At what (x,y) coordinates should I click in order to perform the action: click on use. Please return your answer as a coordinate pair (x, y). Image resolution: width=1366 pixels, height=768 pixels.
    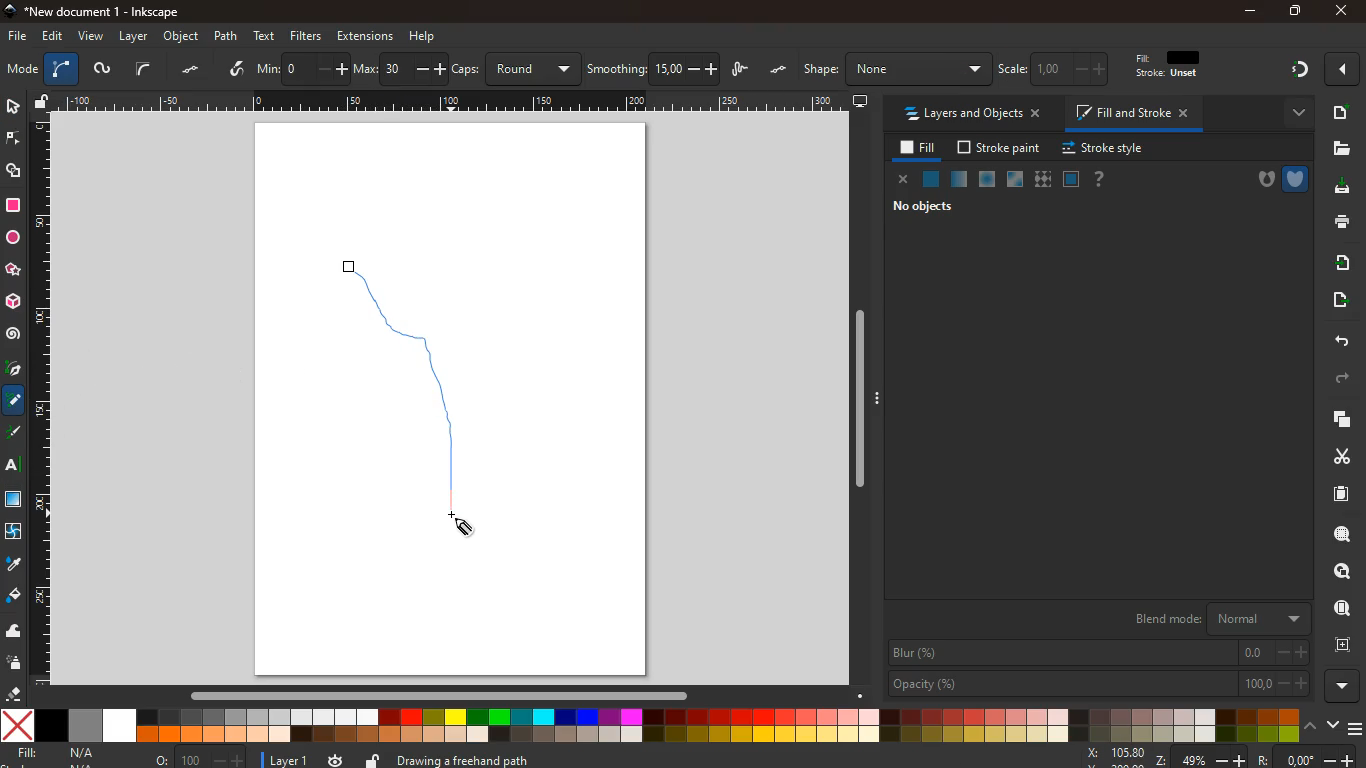
    Looking at the image, I should click on (1343, 609).